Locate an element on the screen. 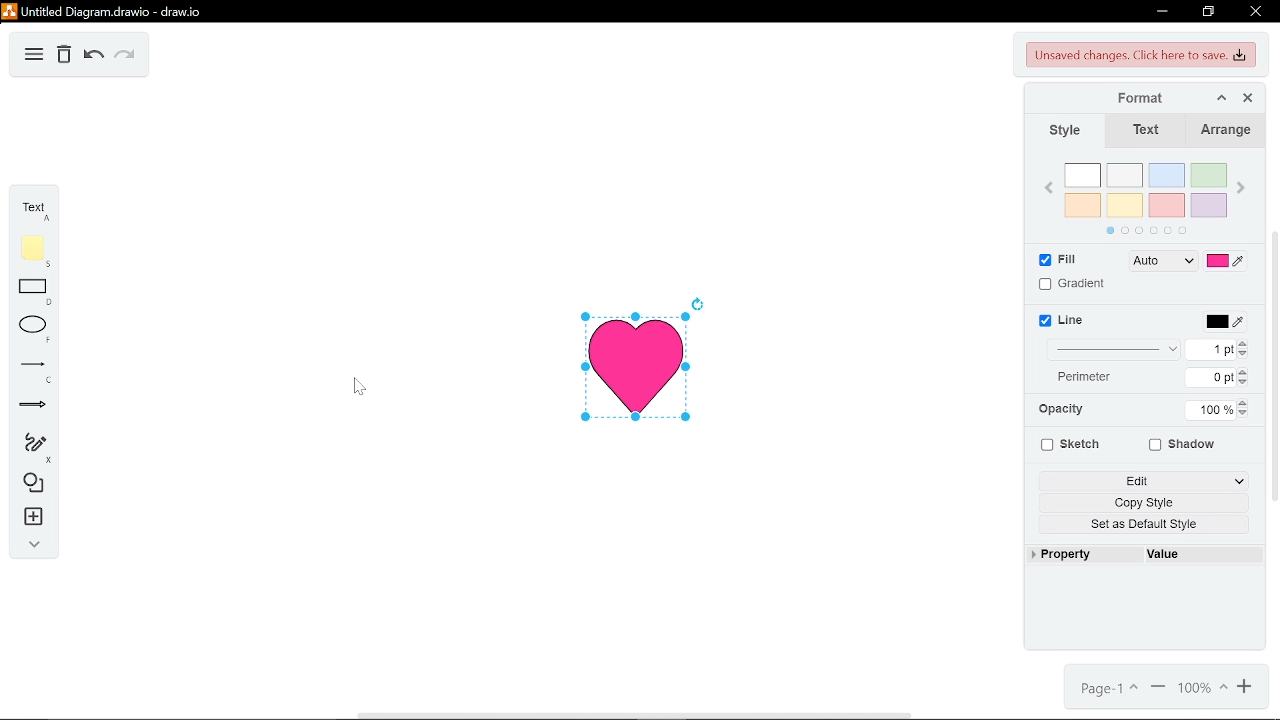 The height and width of the screenshot is (720, 1280). Perimeter is located at coordinates (1076, 376).